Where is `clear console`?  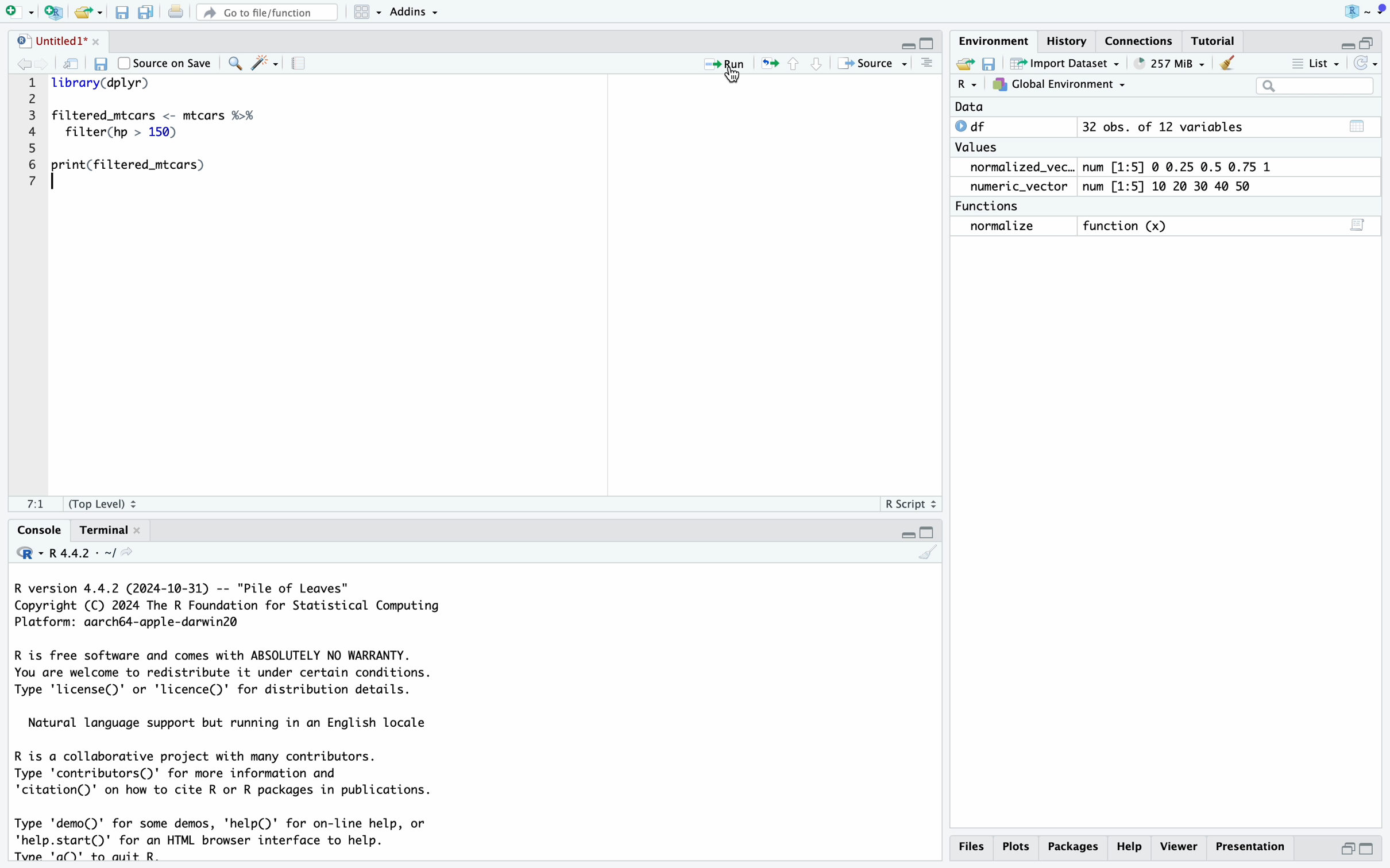
clear console is located at coordinates (928, 555).